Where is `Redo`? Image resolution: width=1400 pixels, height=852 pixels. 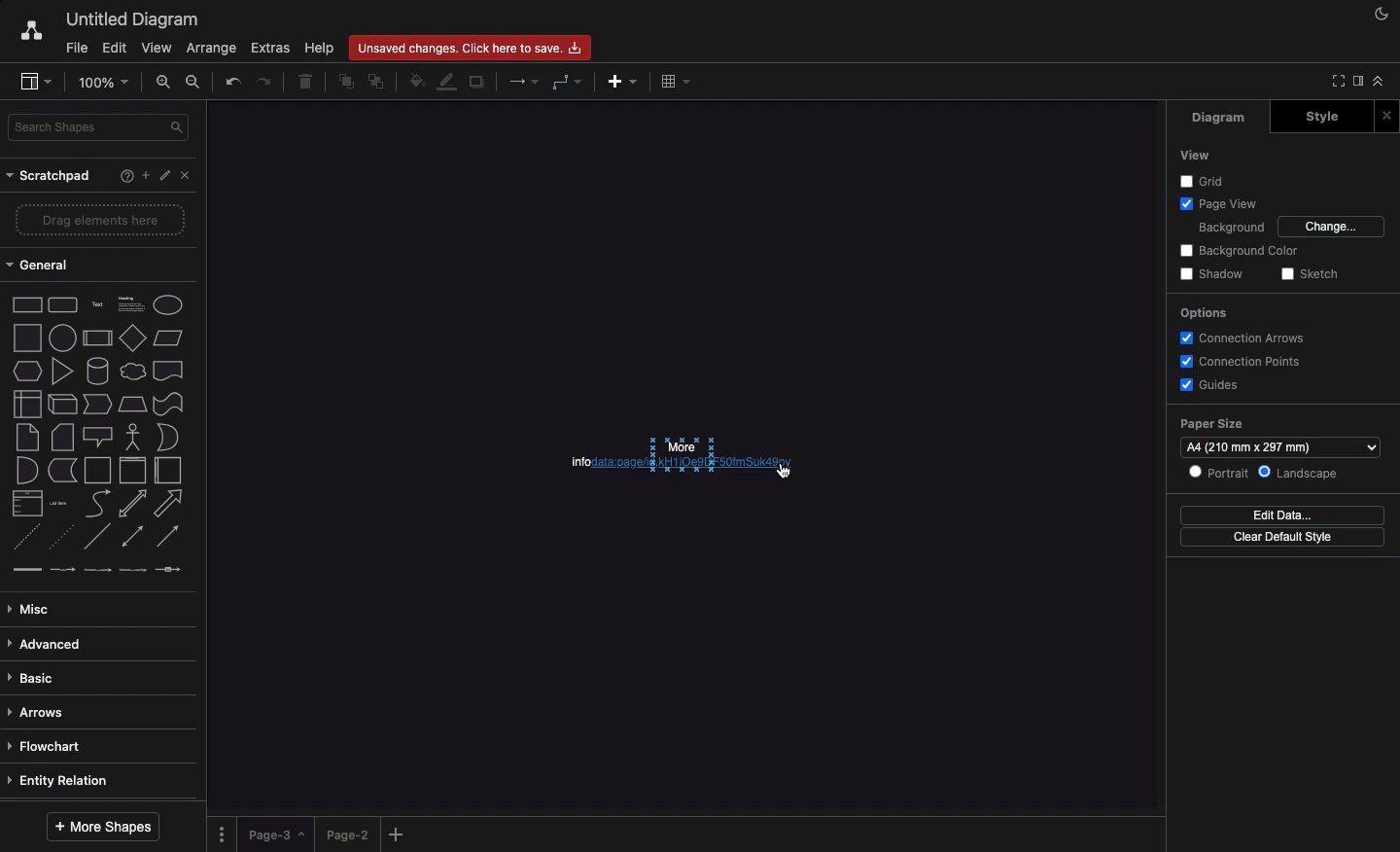
Redo is located at coordinates (264, 80).